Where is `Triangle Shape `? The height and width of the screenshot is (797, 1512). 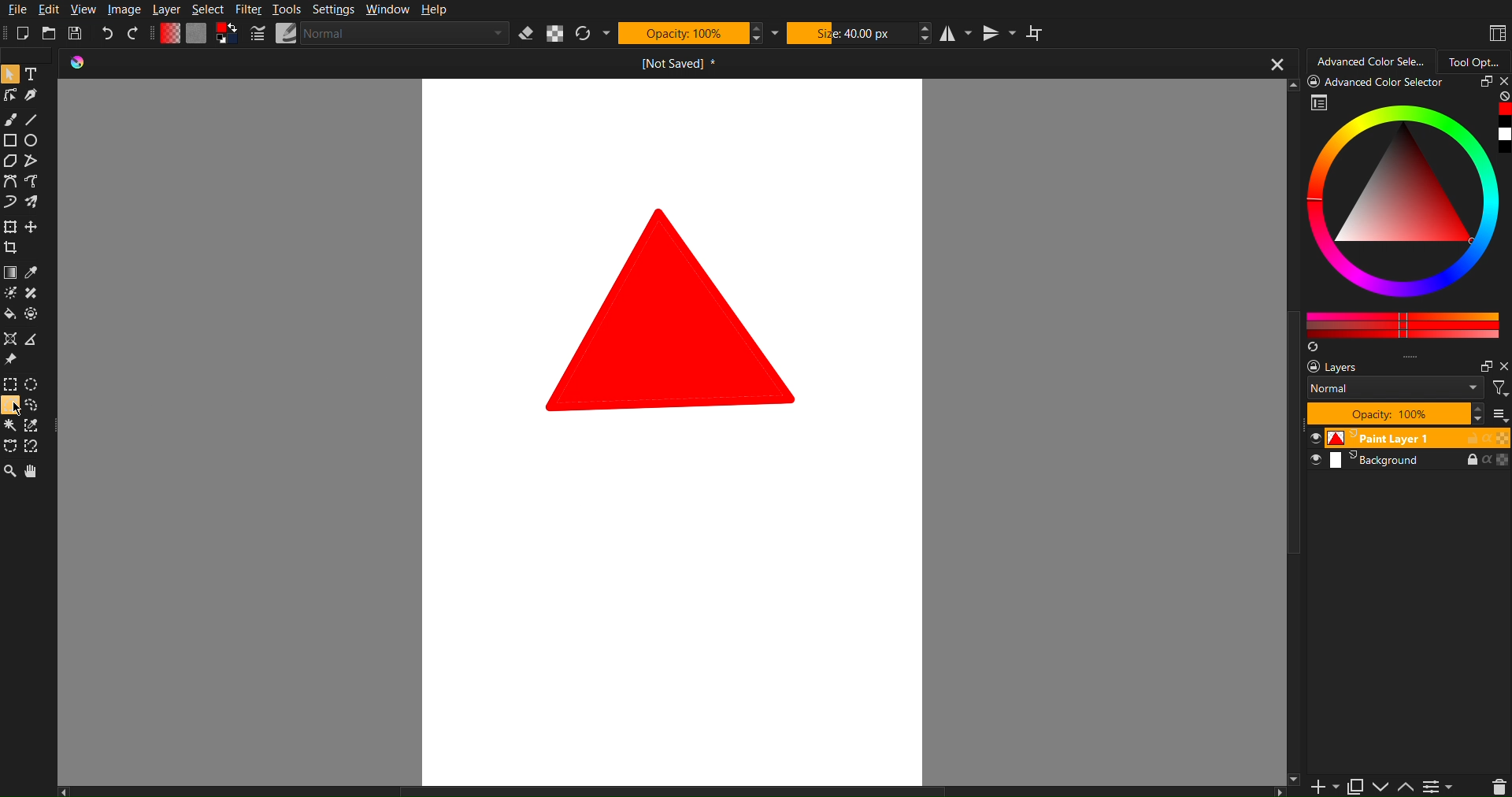 Triangle Shape  is located at coordinates (675, 308).